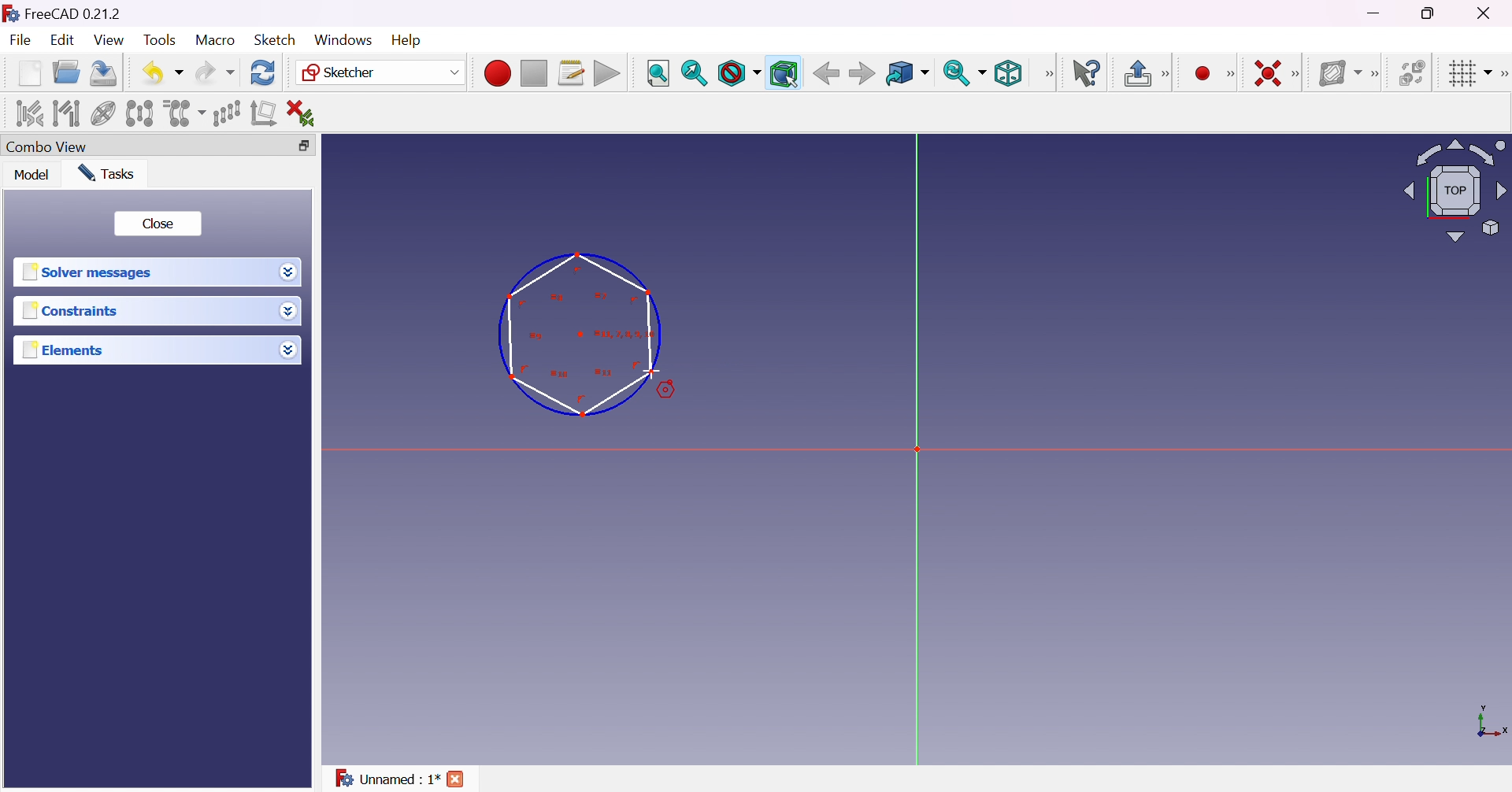 This screenshot has width=1512, height=792. I want to click on Sync, so click(964, 72).